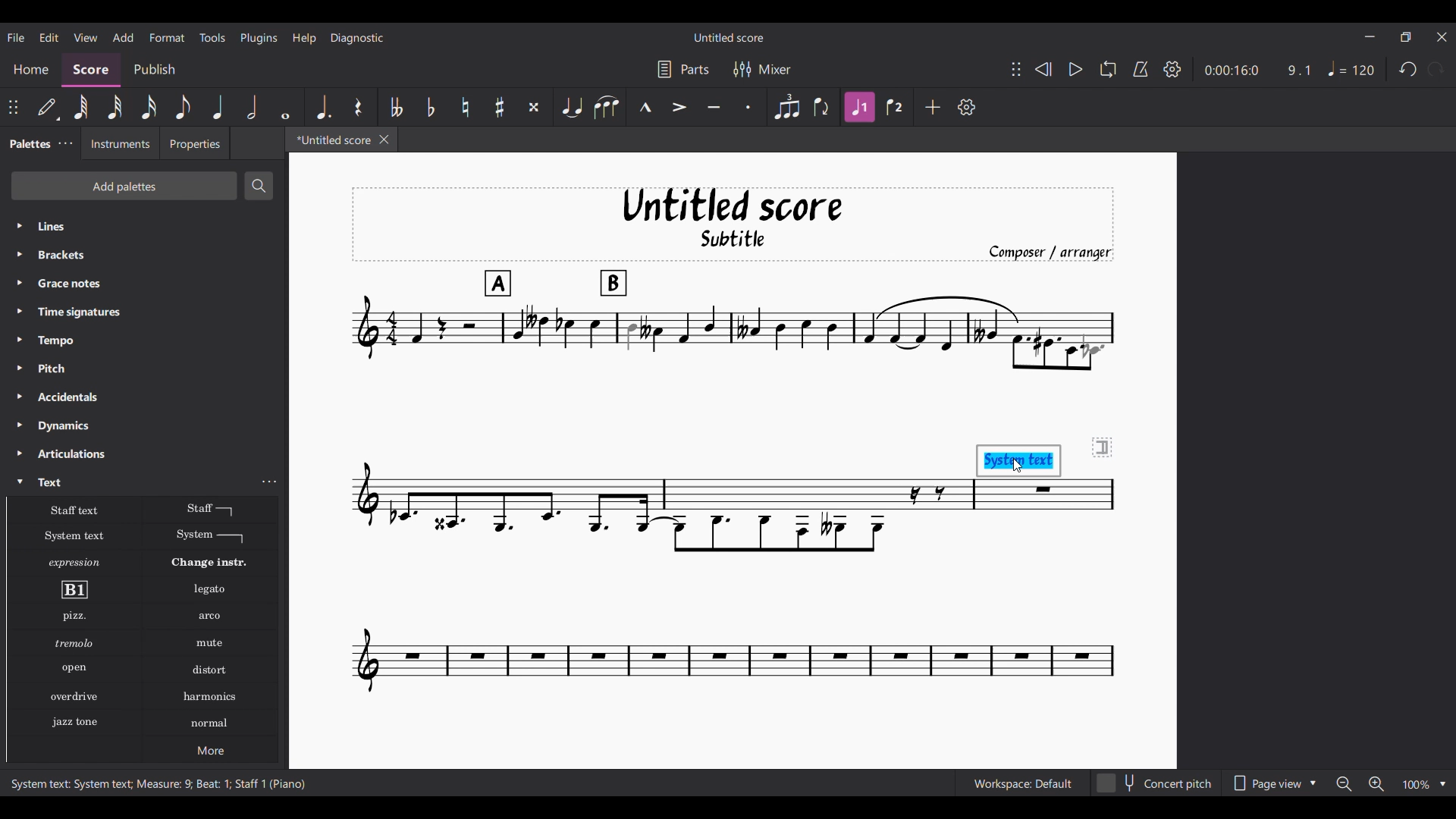  Describe the element at coordinates (571, 106) in the screenshot. I see `Tie` at that location.